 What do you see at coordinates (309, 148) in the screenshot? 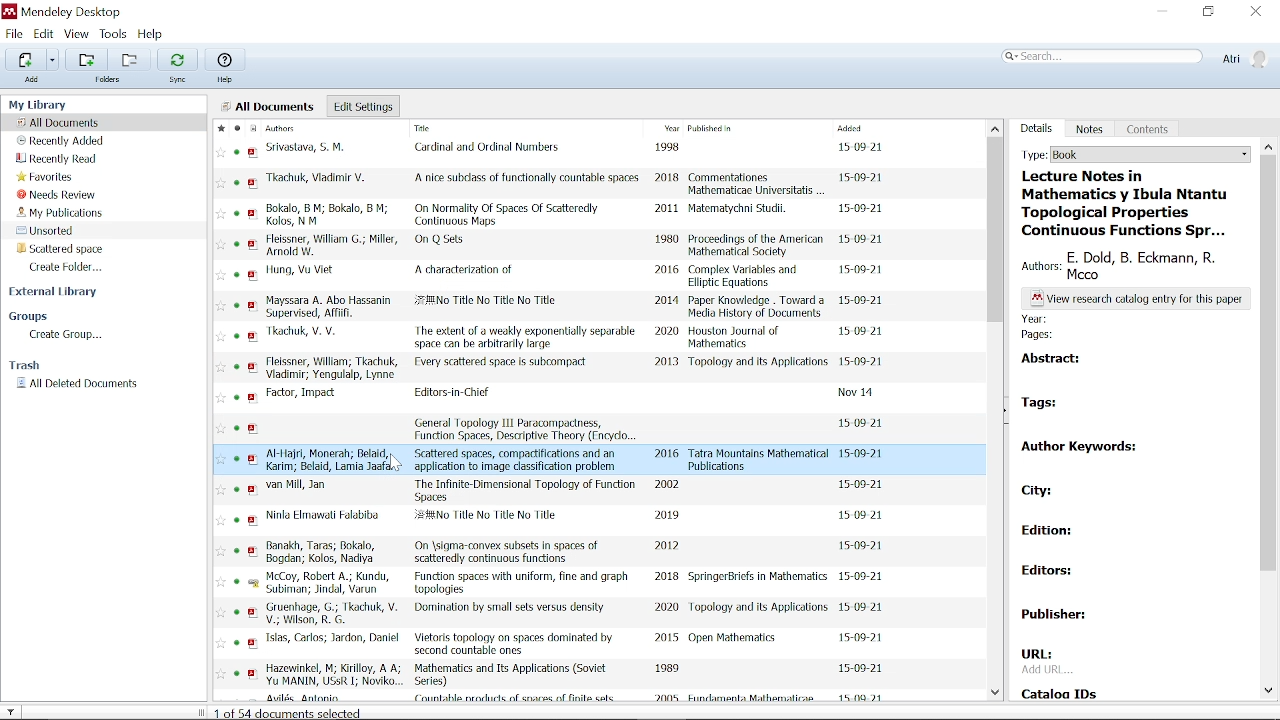
I see `authors` at bounding box center [309, 148].